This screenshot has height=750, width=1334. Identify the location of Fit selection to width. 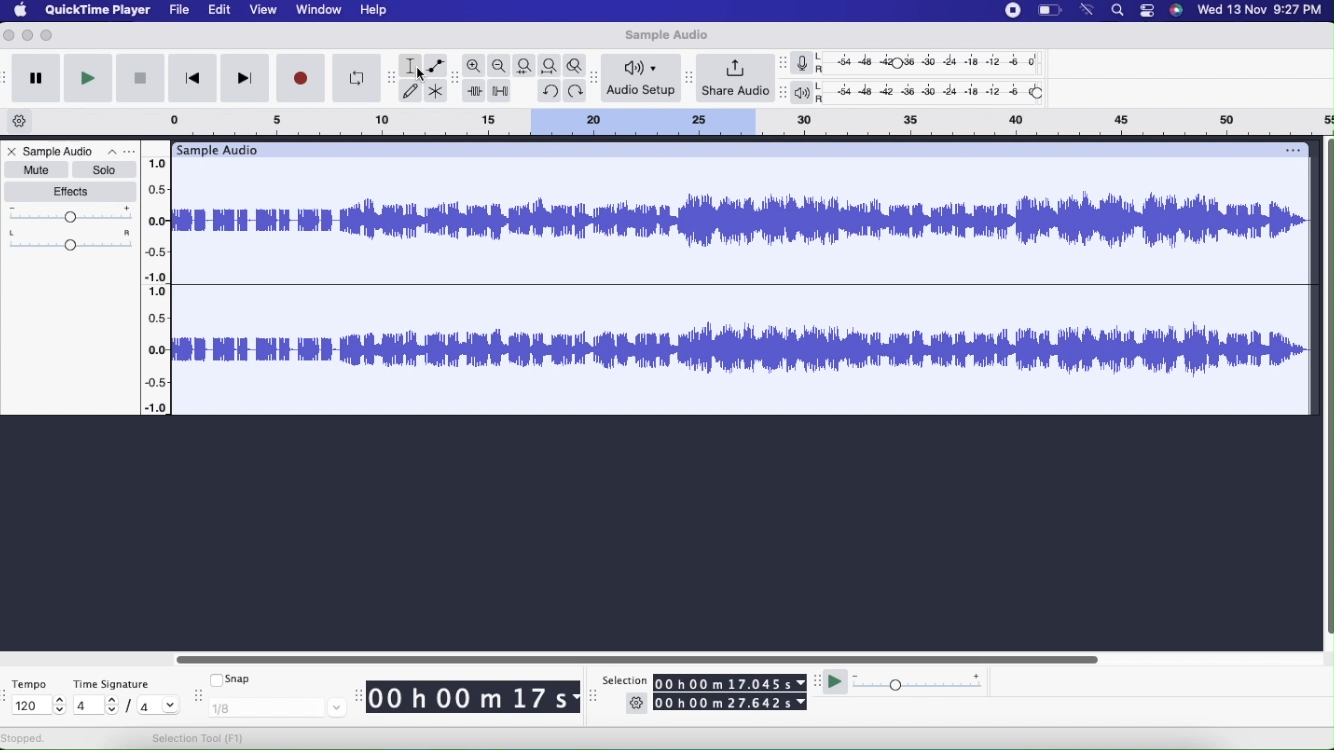
(525, 66).